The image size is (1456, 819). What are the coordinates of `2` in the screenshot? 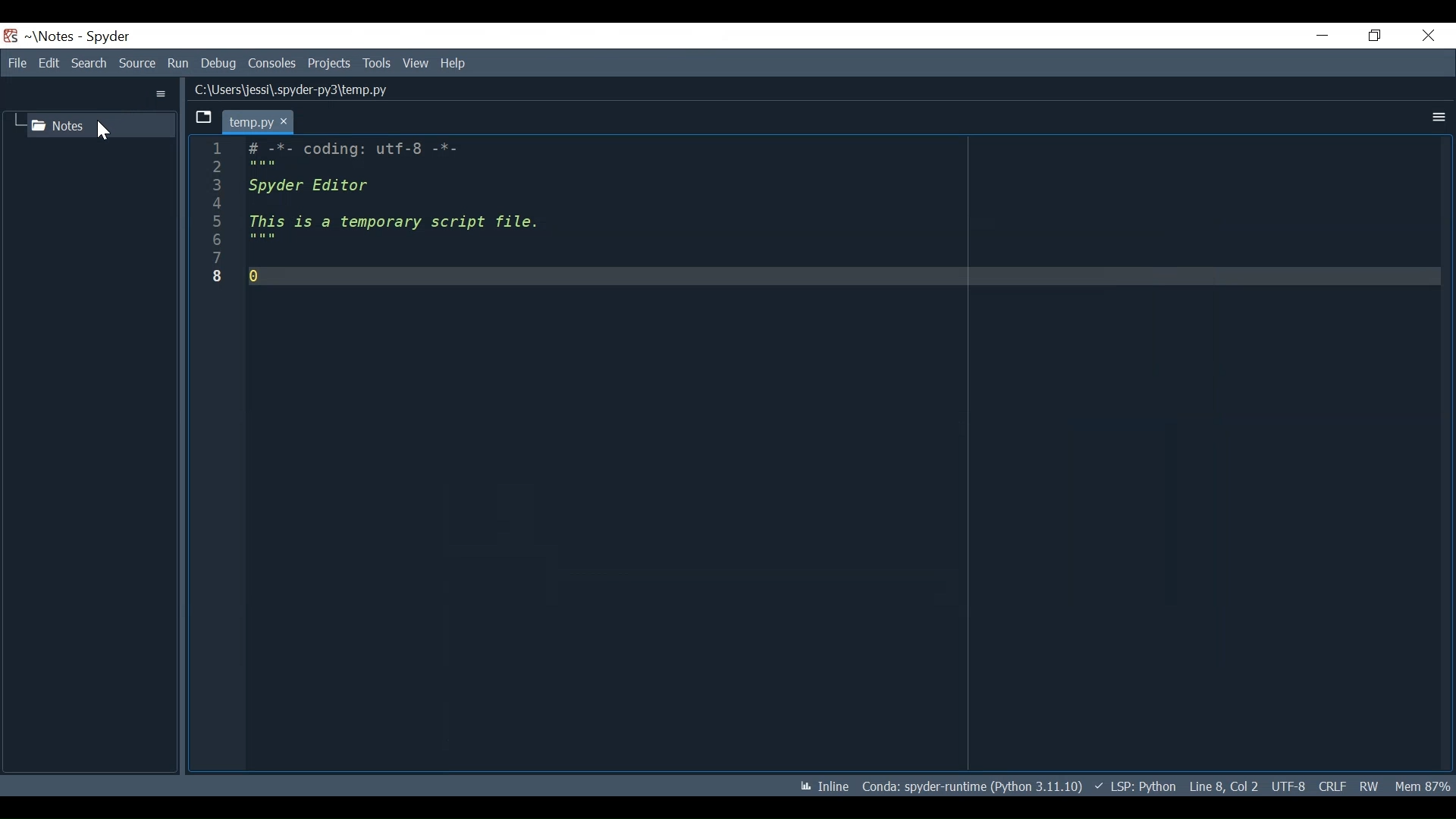 It's located at (217, 170).